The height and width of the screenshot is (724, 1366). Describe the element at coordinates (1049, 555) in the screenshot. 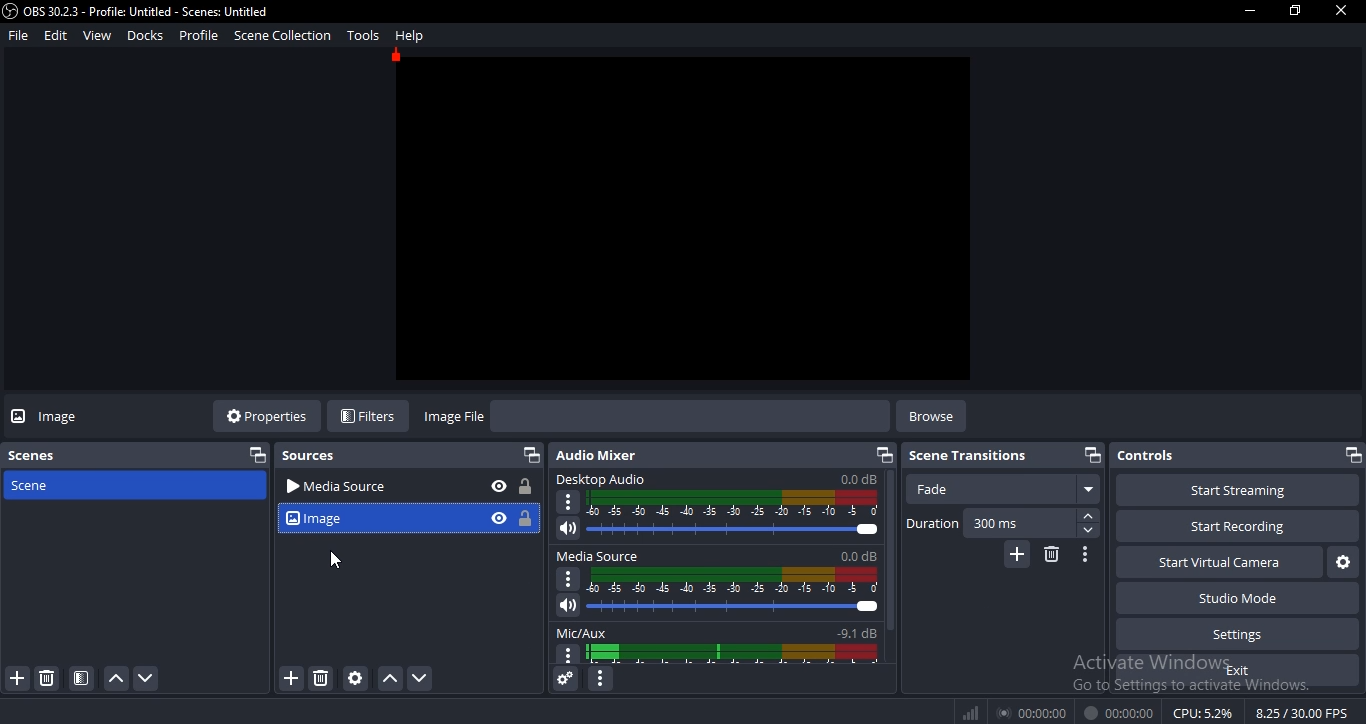

I see `delete scene transition` at that location.